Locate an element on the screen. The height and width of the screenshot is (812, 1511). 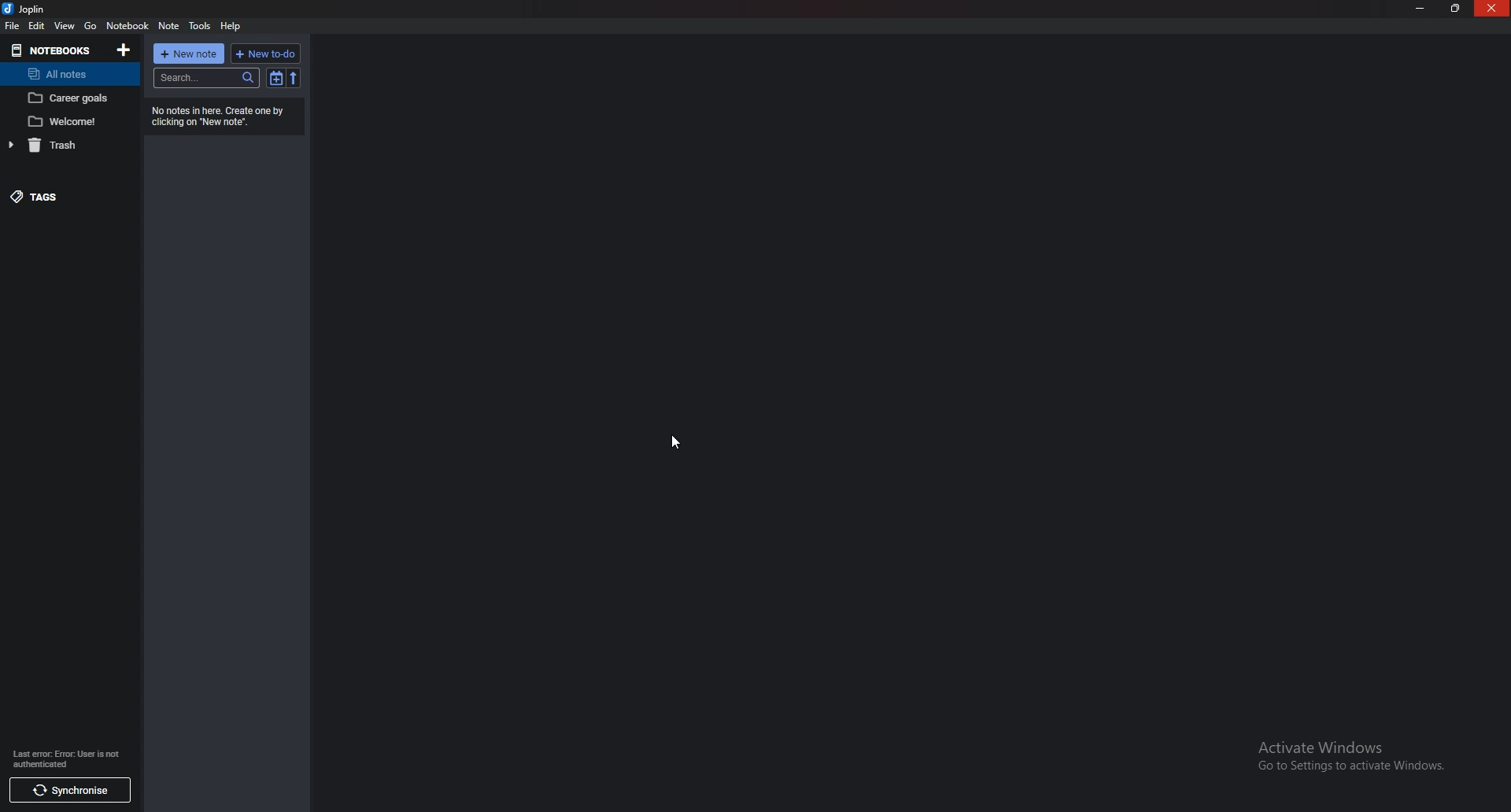
joplin is located at coordinates (24, 9).